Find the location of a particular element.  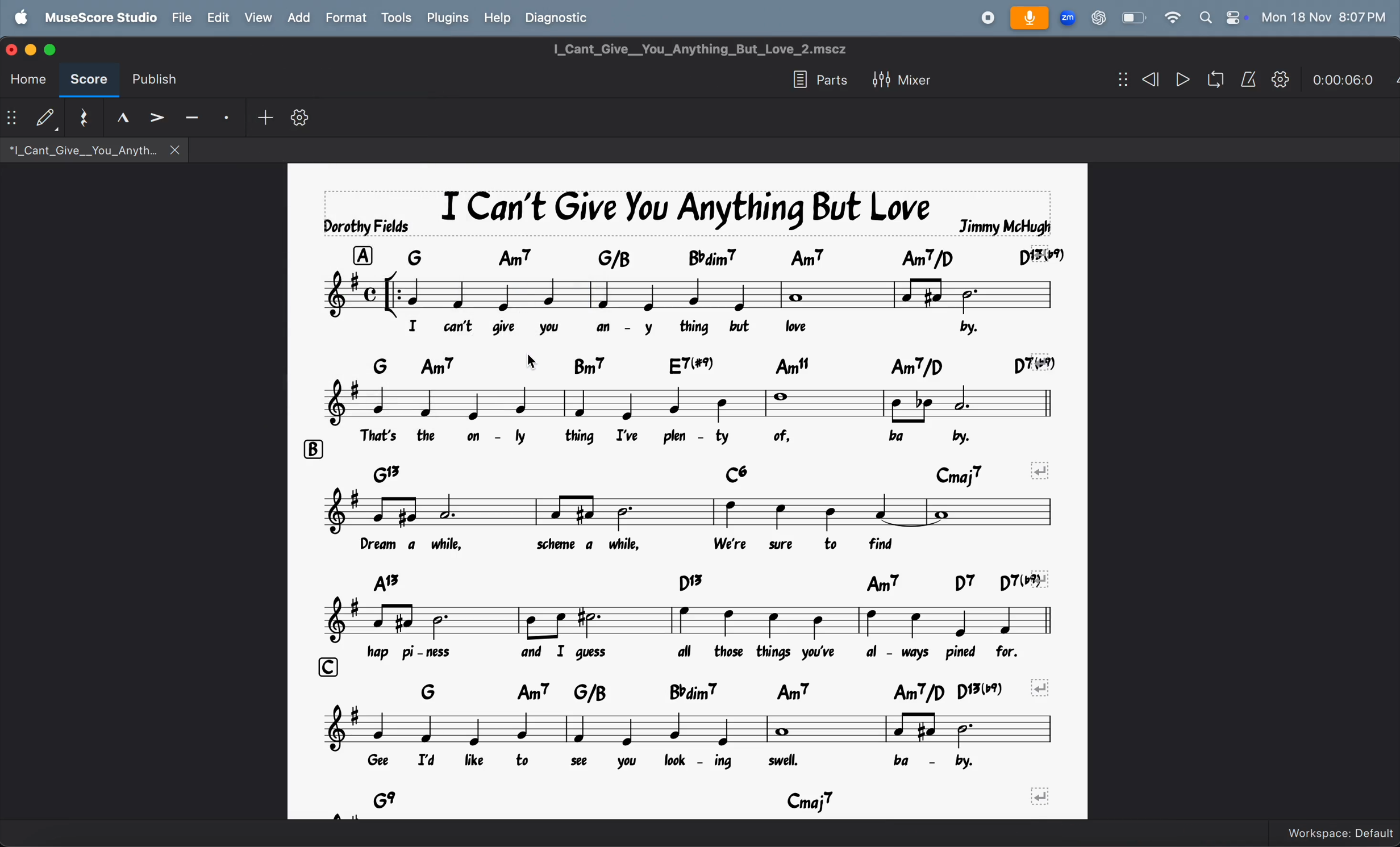

lyrics is located at coordinates (696, 437).